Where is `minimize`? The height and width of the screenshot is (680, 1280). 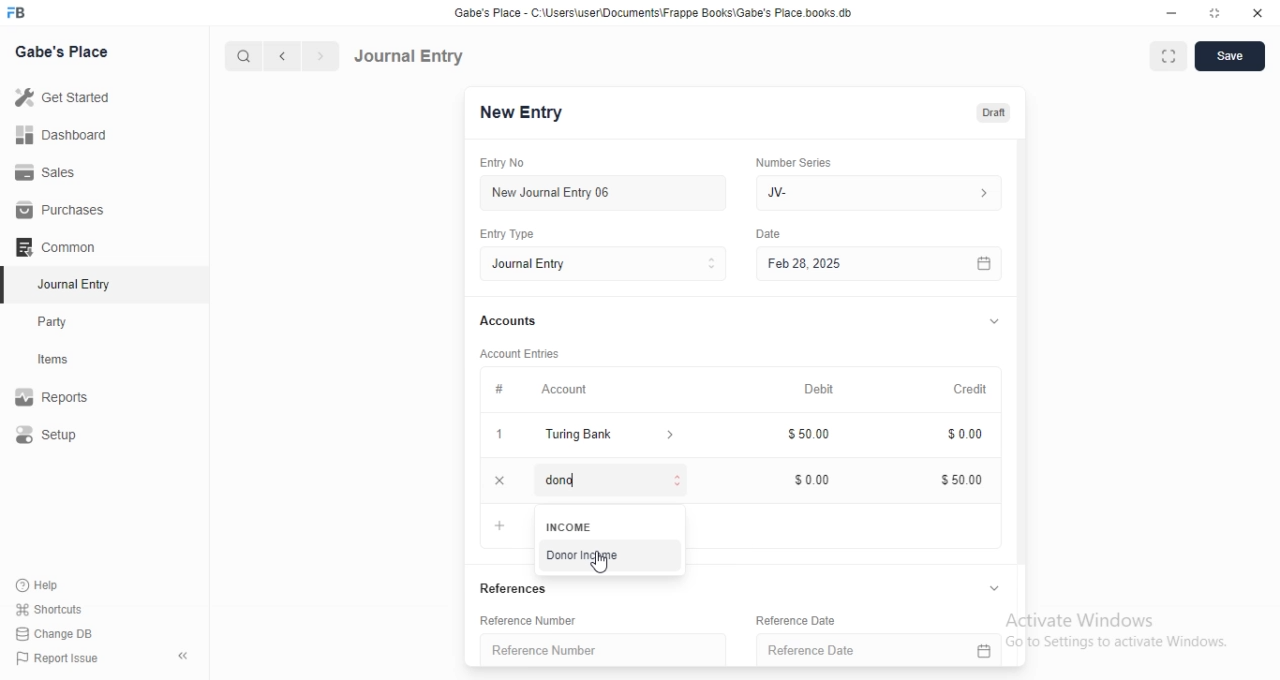 minimize is located at coordinates (1170, 16).